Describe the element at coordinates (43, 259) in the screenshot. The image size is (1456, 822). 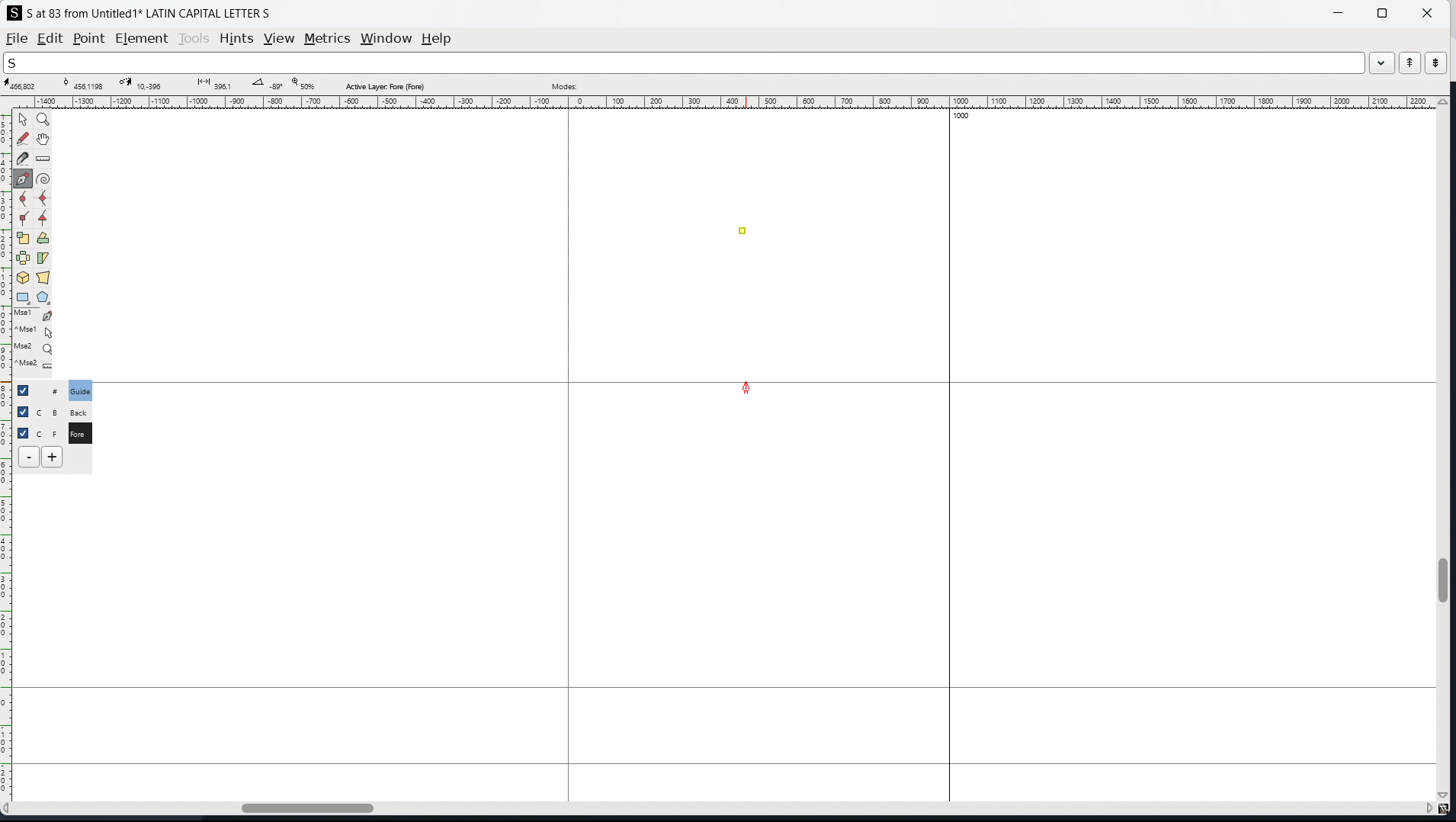
I see `skew selection` at that location.